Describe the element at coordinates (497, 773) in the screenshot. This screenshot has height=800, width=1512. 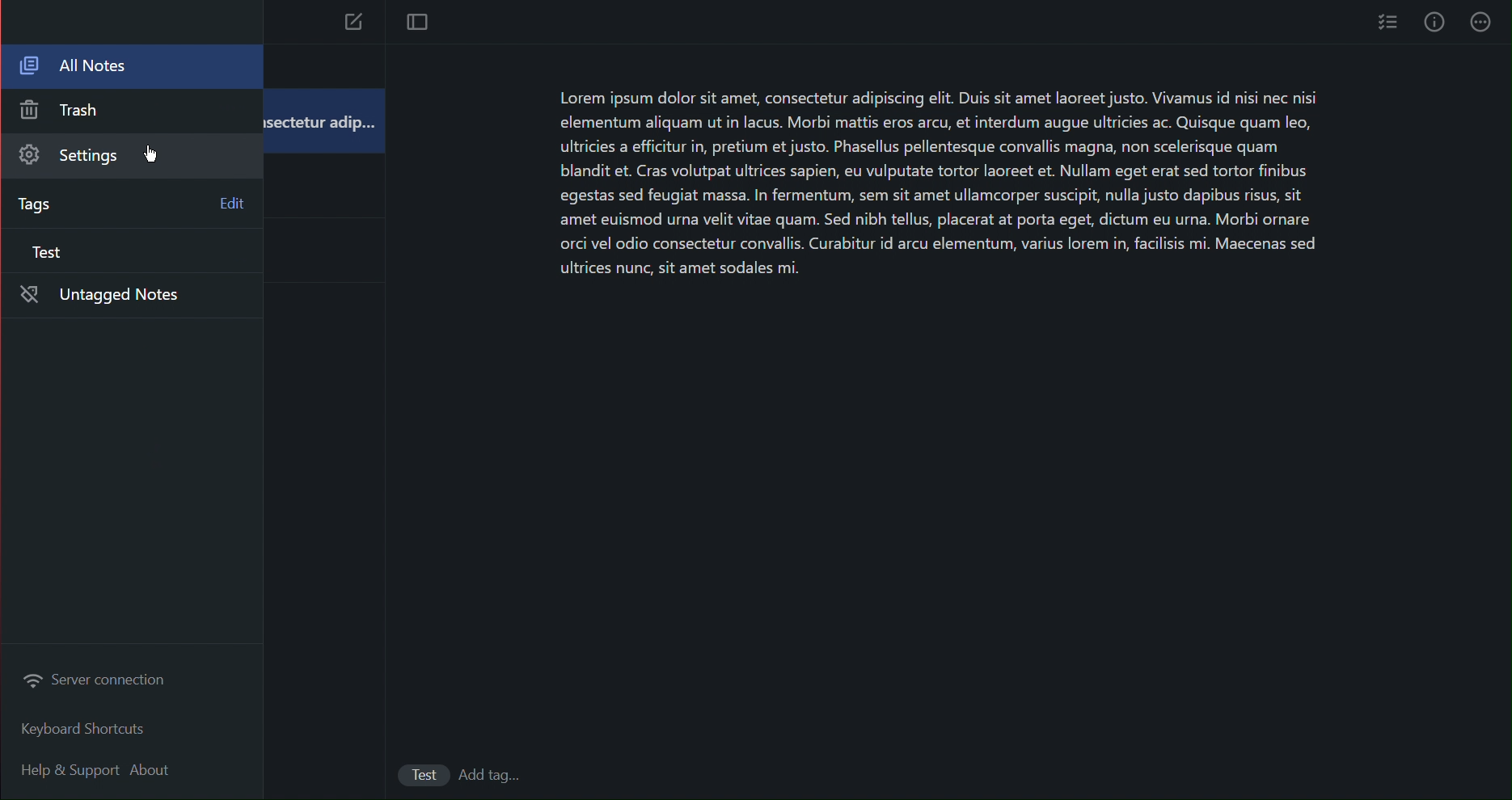
I see `add Tags` at that location.